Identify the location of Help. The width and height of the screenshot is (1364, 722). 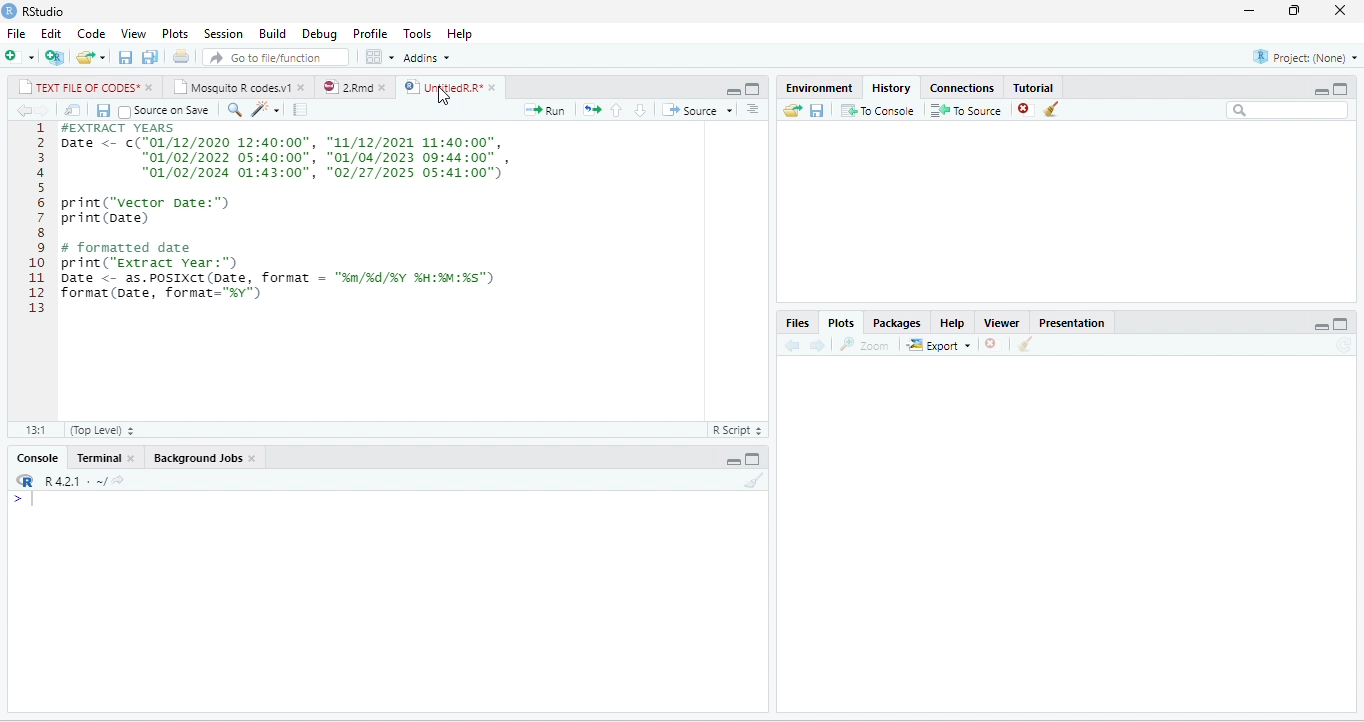
(953, 323).